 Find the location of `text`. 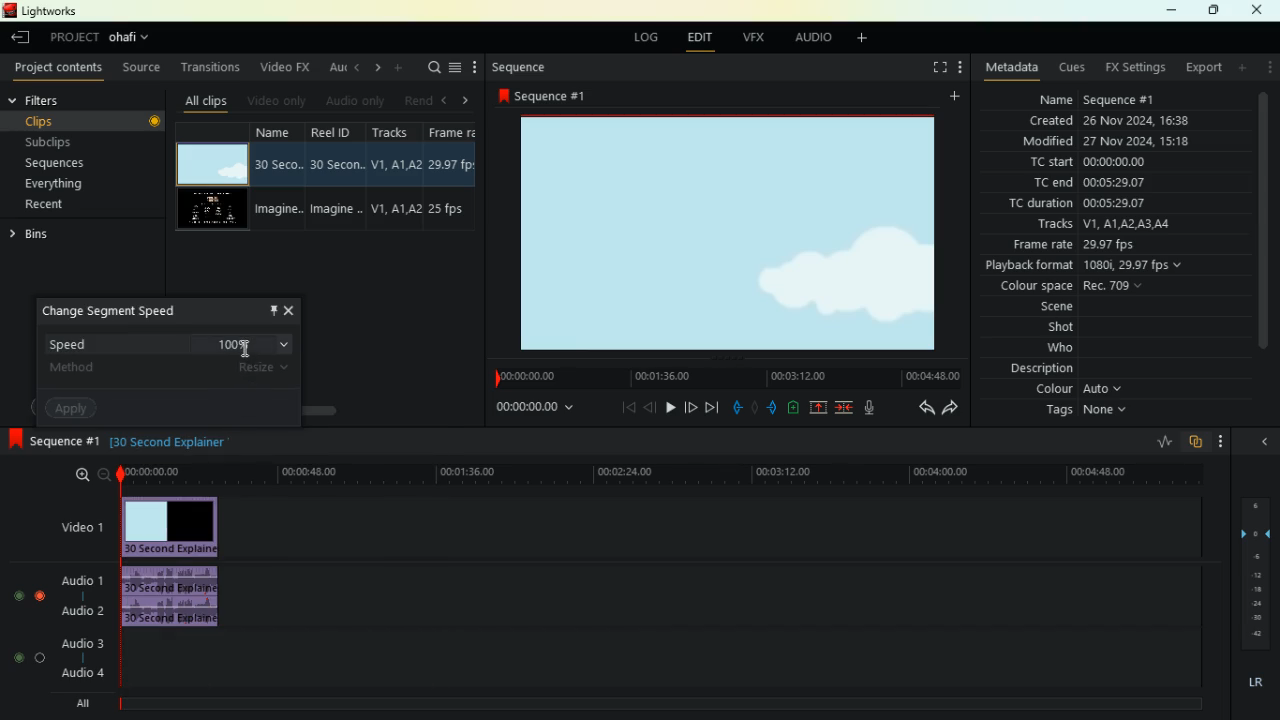

text is located at coordinates (190, 443).